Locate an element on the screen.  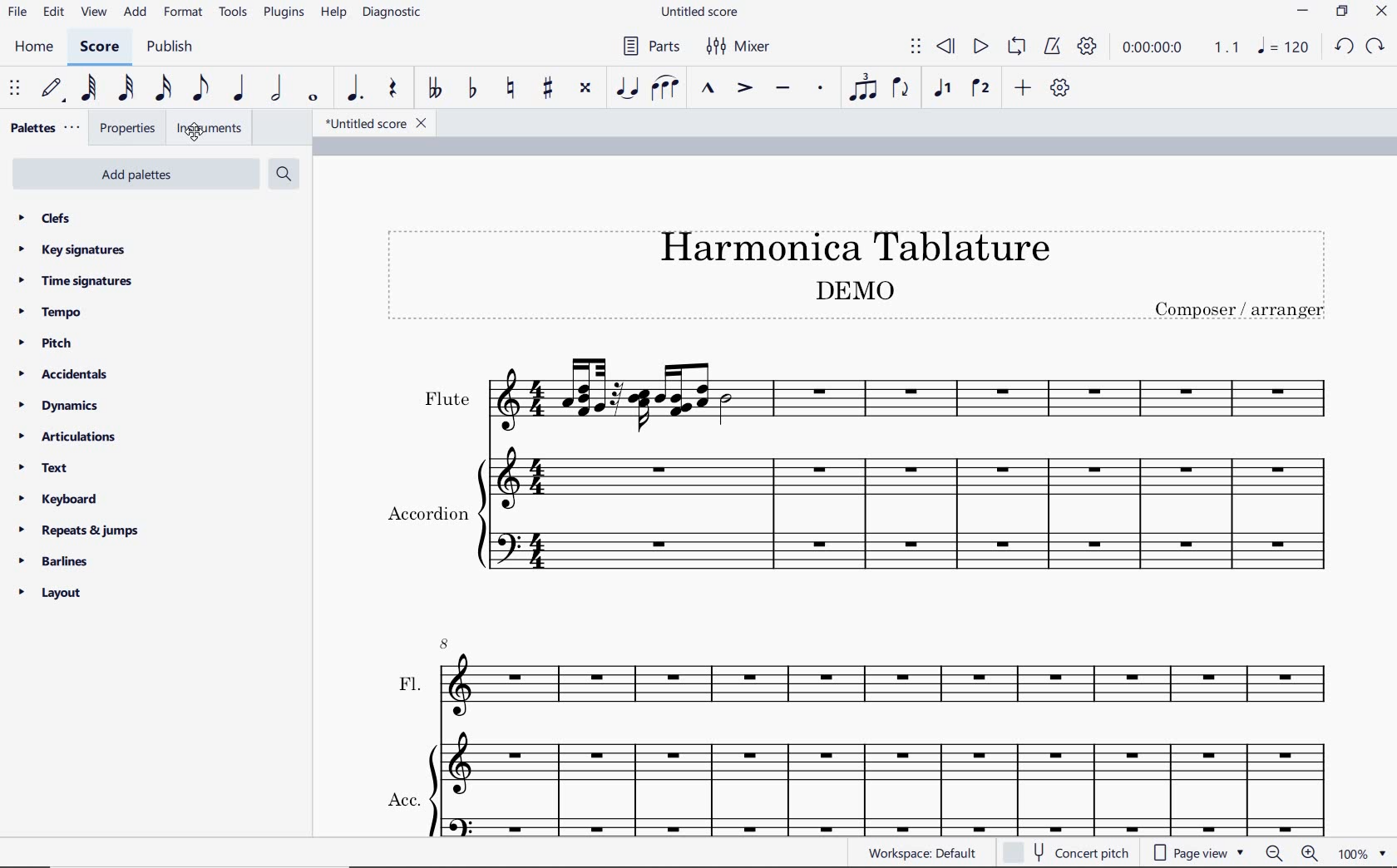
MIXER is located at coordinates (737, 47).